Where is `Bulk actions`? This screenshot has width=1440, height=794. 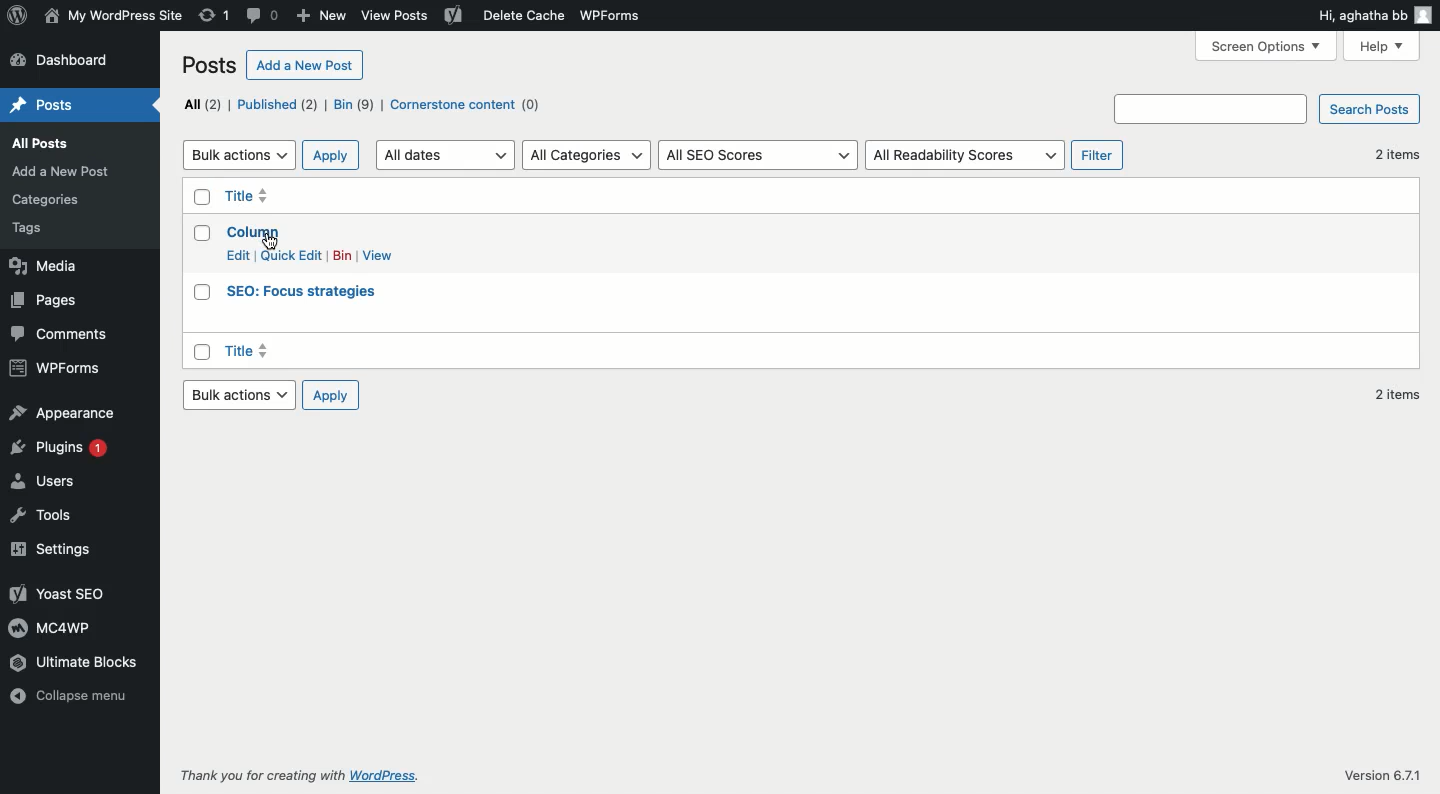 Bulk actions is located at coordinates (238, 394).